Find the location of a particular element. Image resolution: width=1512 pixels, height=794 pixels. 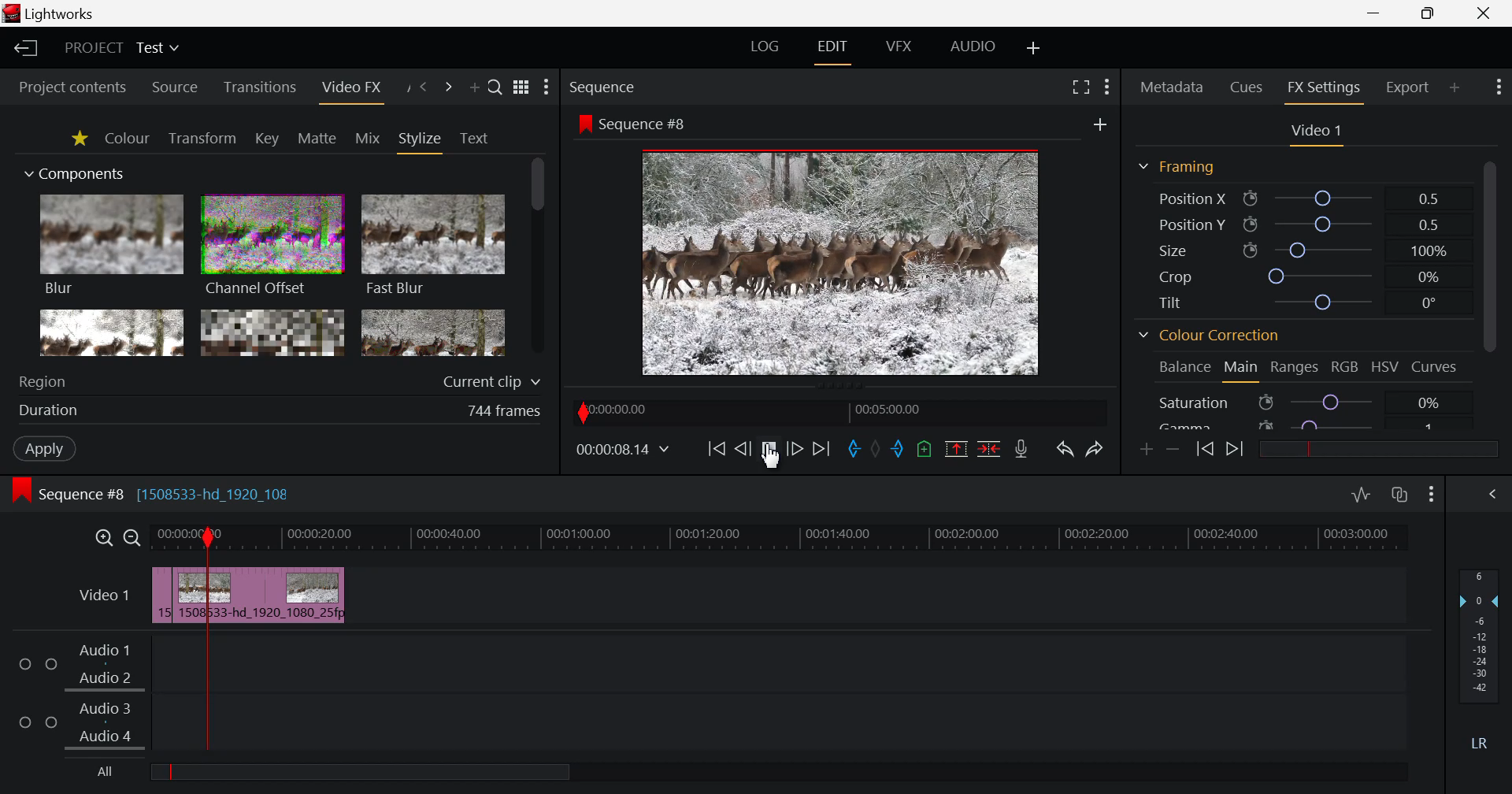

Transform is located at coordinates (202, 138).